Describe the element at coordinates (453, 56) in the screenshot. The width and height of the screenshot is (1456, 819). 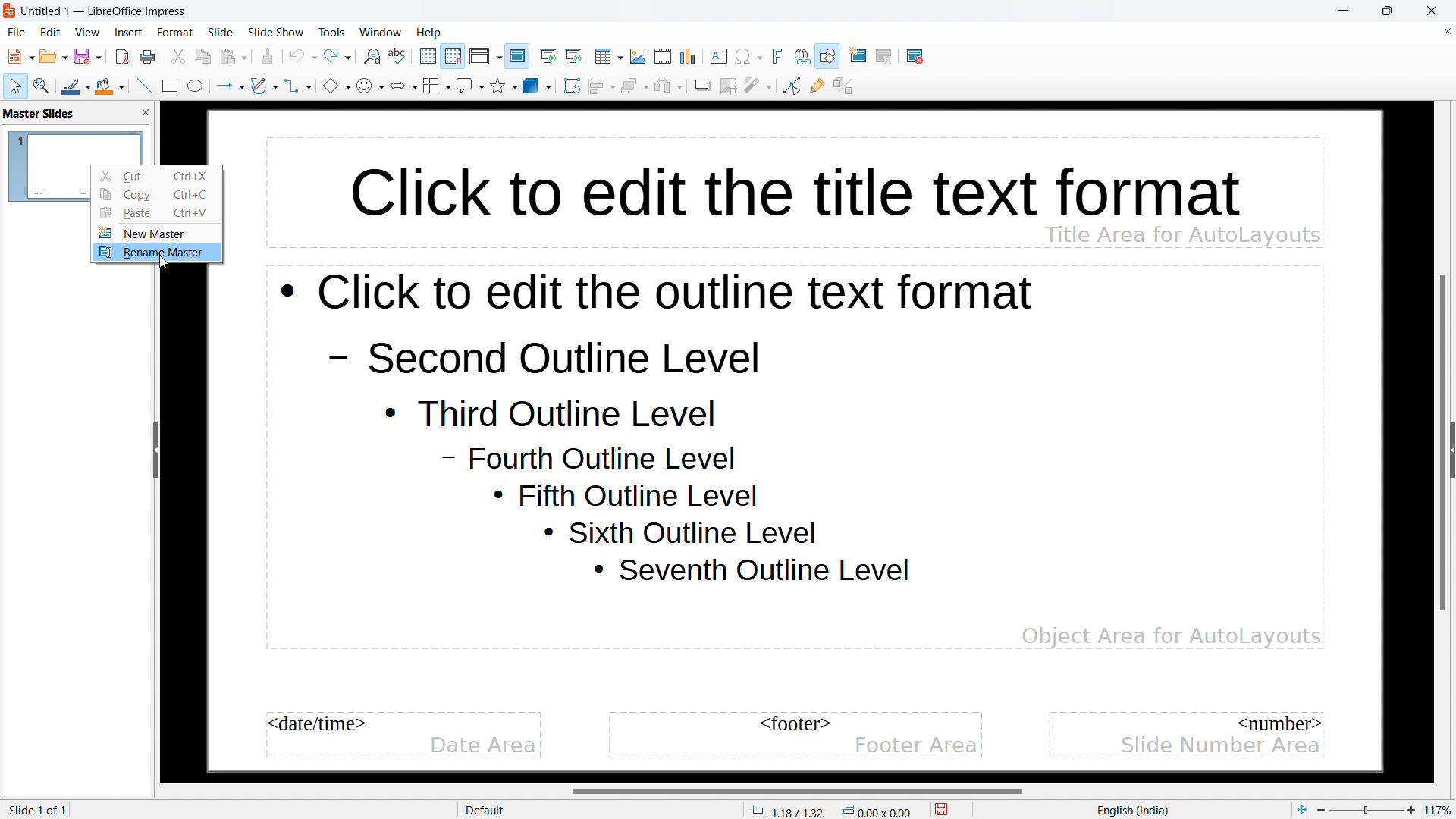
I see `snap to grid` at that location.